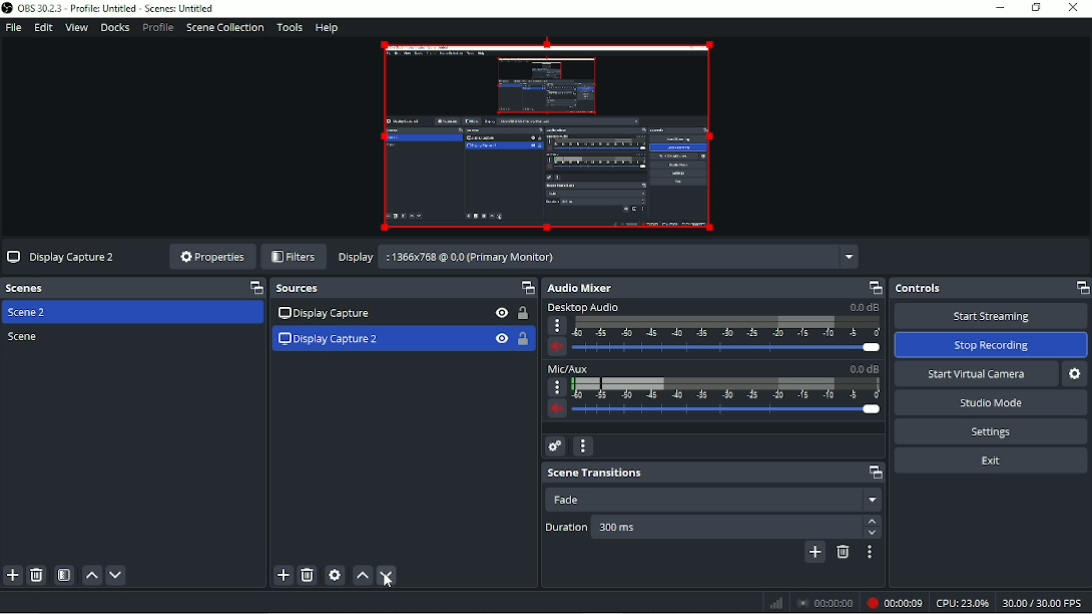 The height and width of the screenshot is (614, 1092). Describe the element at coordinates (523, 338) in the screenshot. I see `Lock` at that location.